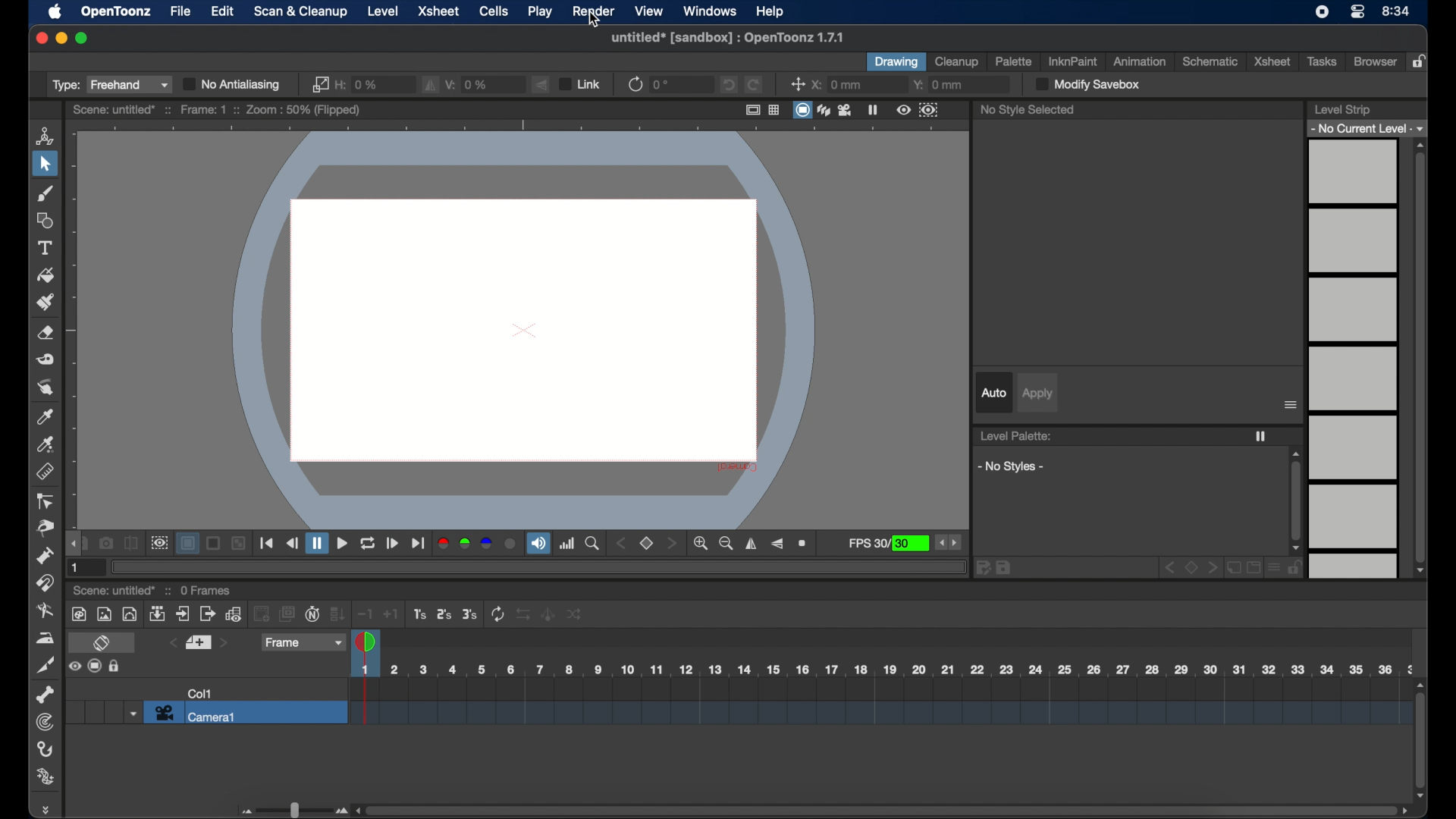 The height and width of the screenshot is (819, 1456). Describe the element at coordinates (207, 613) in the screenshot. I see `` at that location.